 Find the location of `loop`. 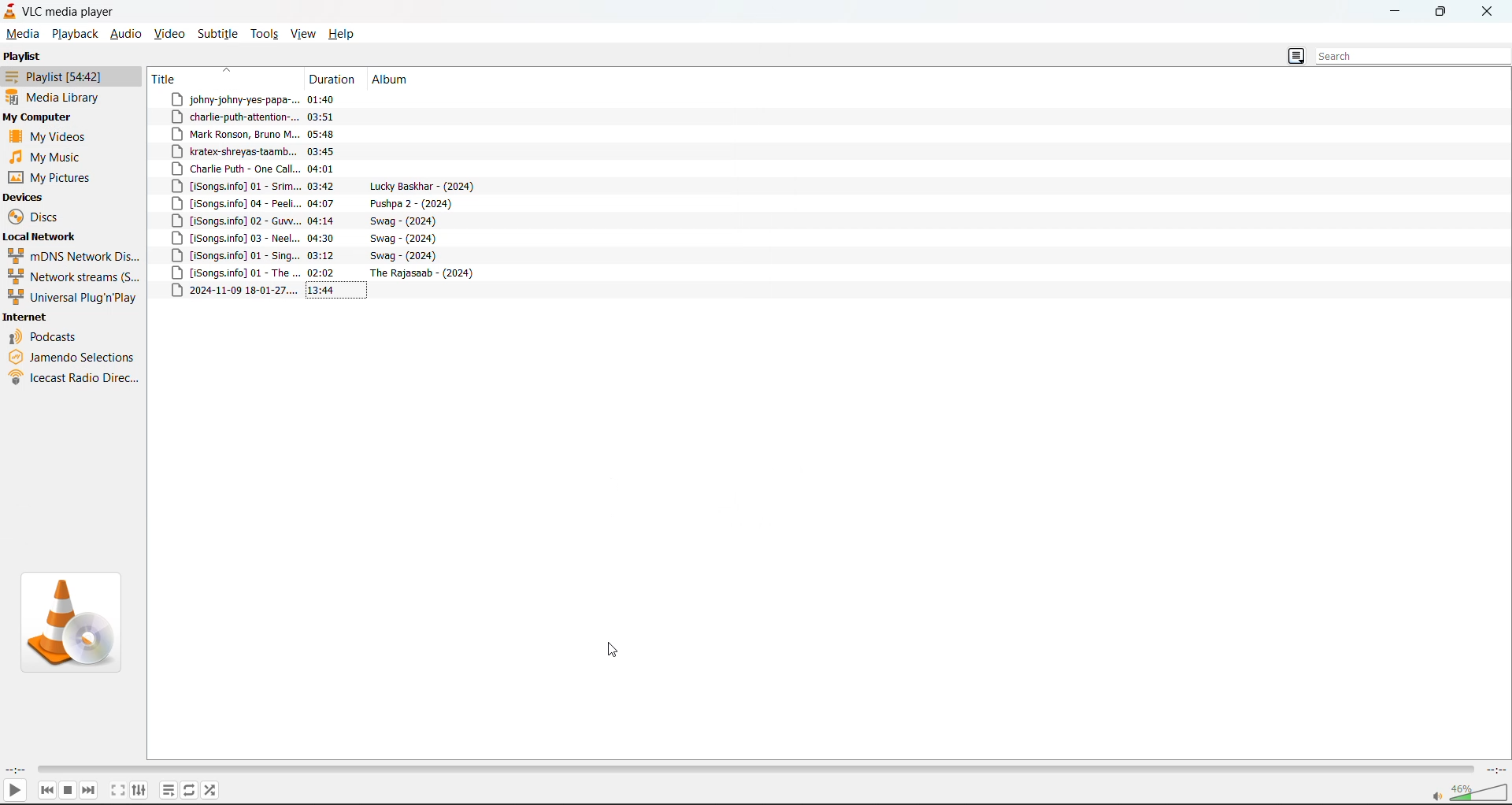

loop is located at coordinates (191, 792).